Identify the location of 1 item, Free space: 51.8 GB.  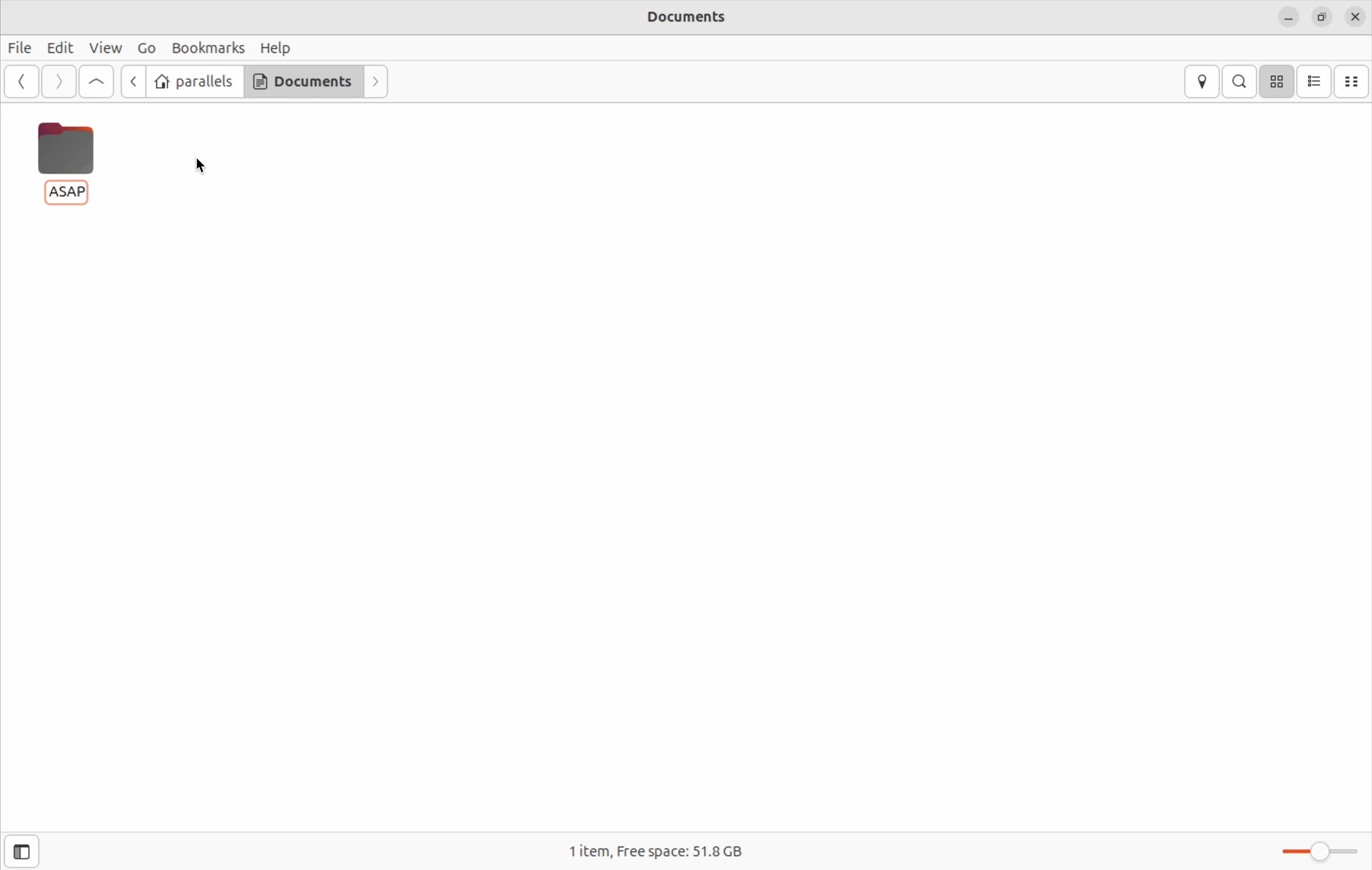
(692, 851).